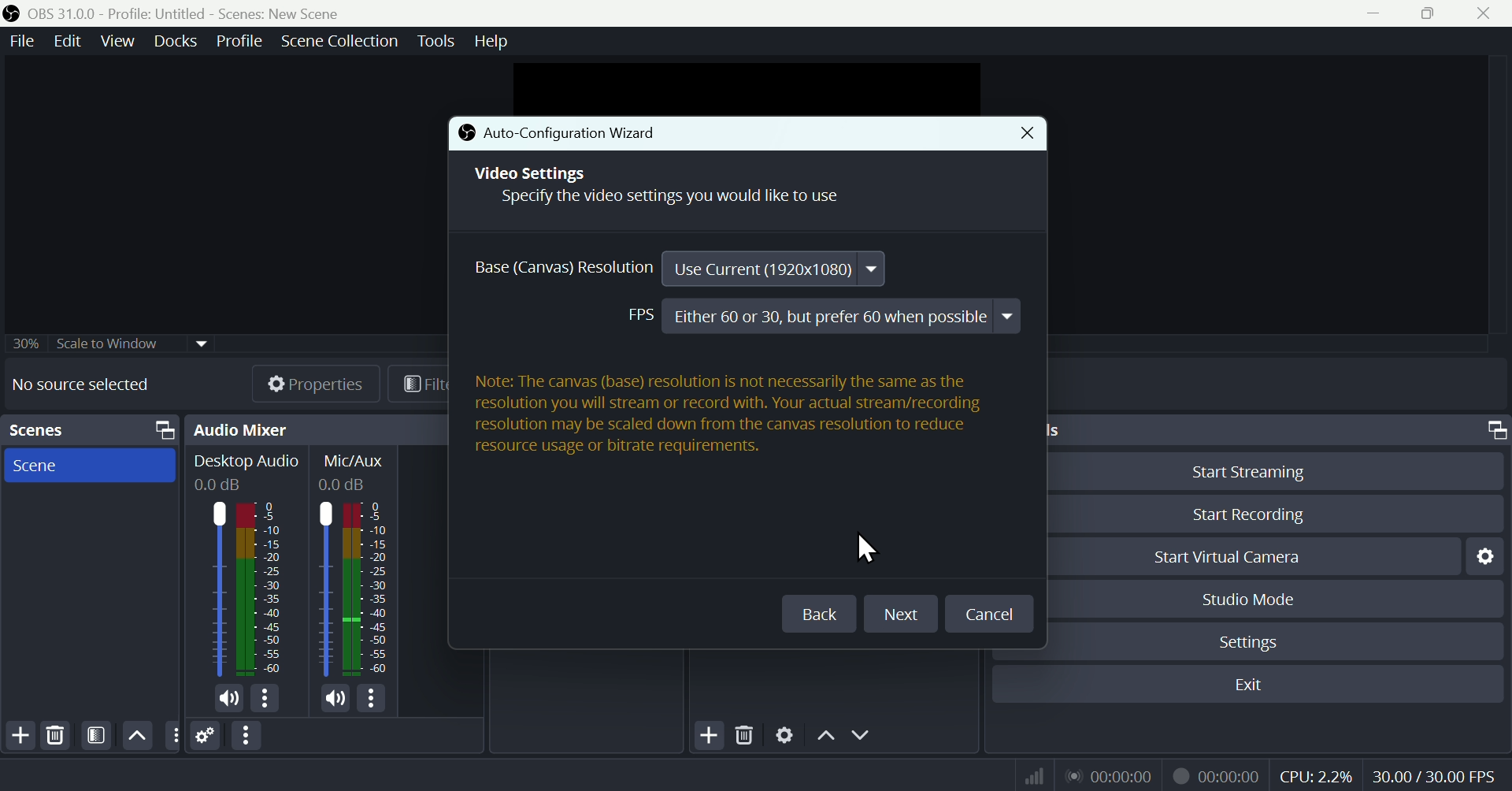  Describe the element at coordinates (229, 699) in the screenshot. I see `mic` at that location.